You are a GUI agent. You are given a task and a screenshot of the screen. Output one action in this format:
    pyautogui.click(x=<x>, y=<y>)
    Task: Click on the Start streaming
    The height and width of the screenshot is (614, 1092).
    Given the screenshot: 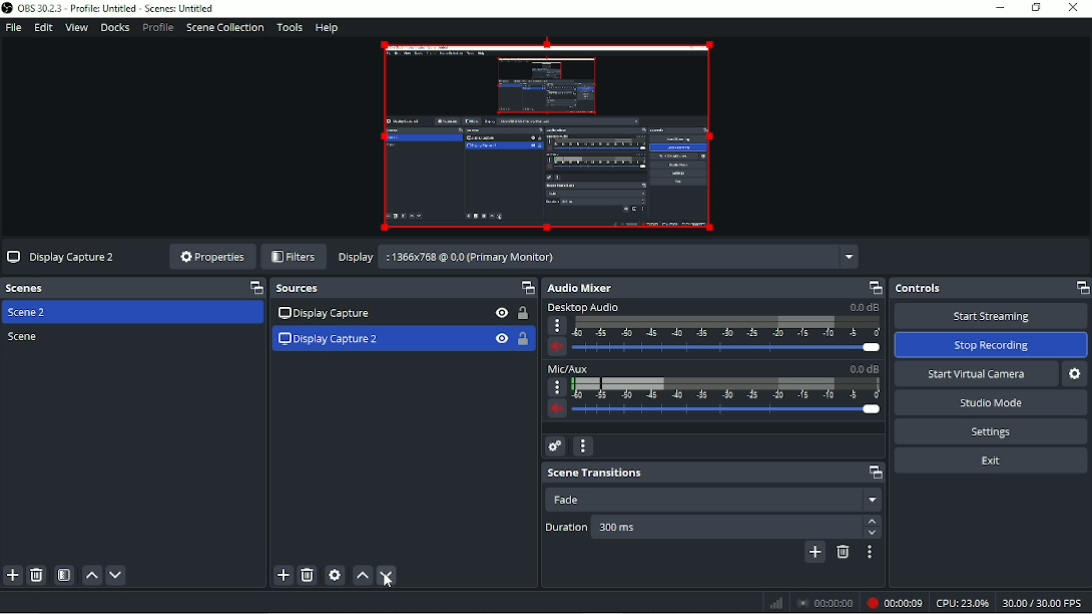 What is the action you would take?
    pyautogui.click(x=990, y=316)
    